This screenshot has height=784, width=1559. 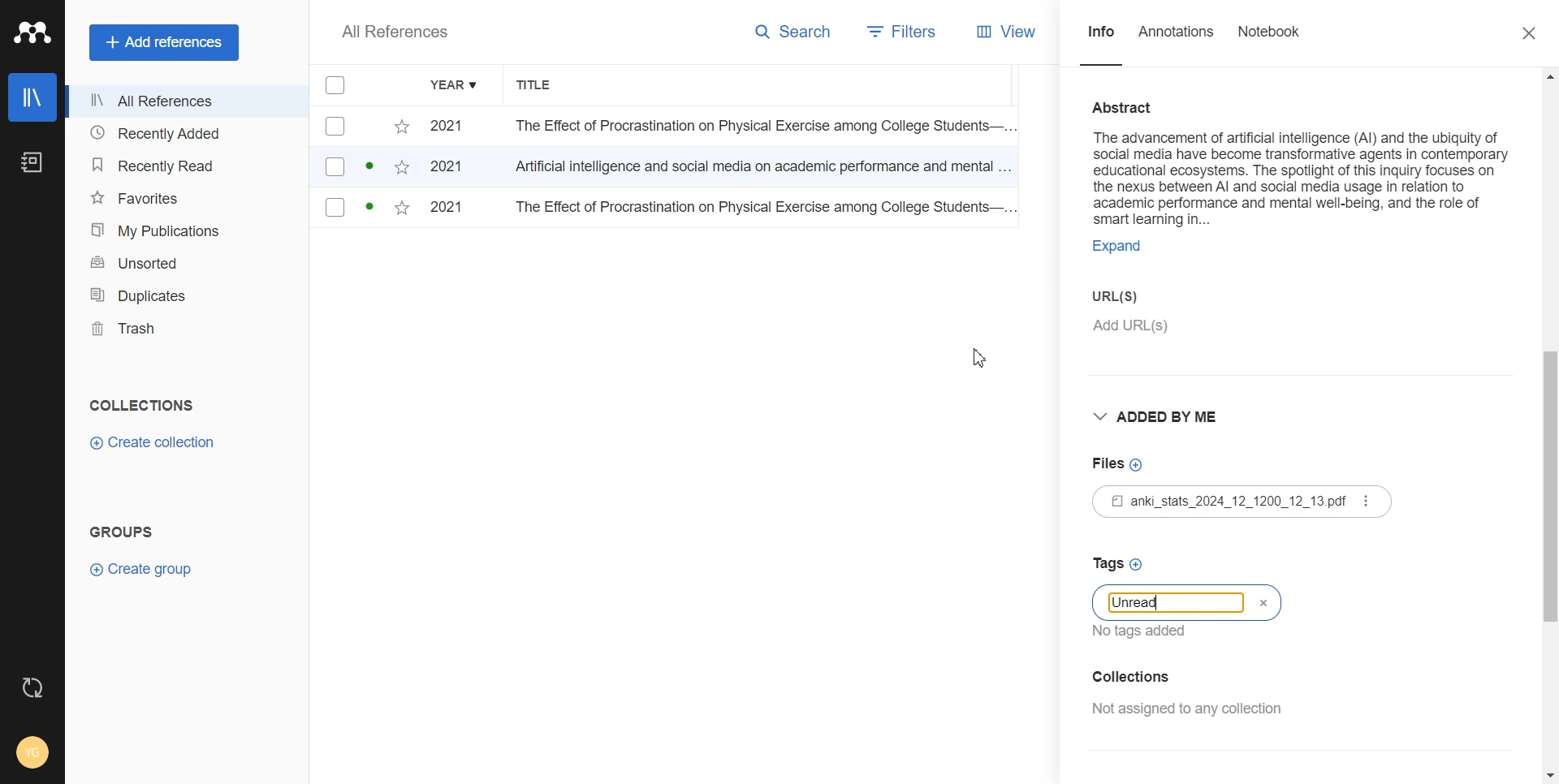 What do you see at coordinates (762, 209) in the screenshot?
I see `The Effect of Procrastination on Physical Exercise among College Students...` at bounding box center [762, 209].